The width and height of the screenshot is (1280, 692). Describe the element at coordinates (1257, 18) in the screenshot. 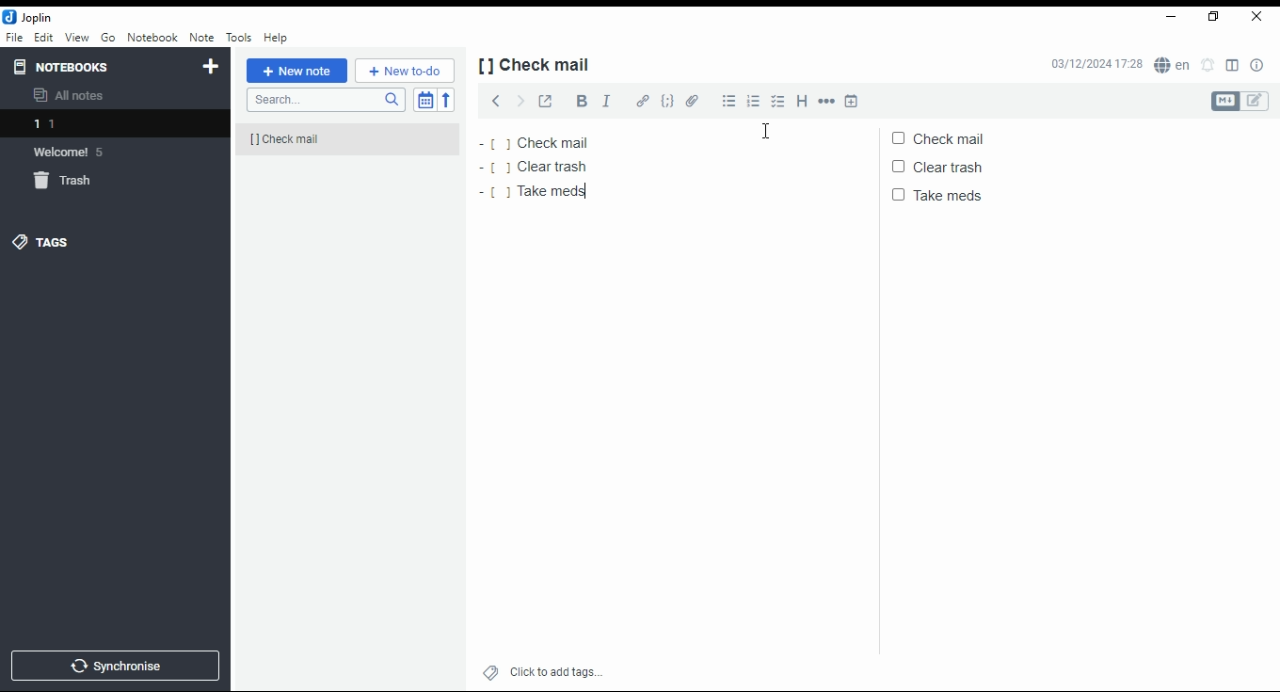

I see `close window` at that location.